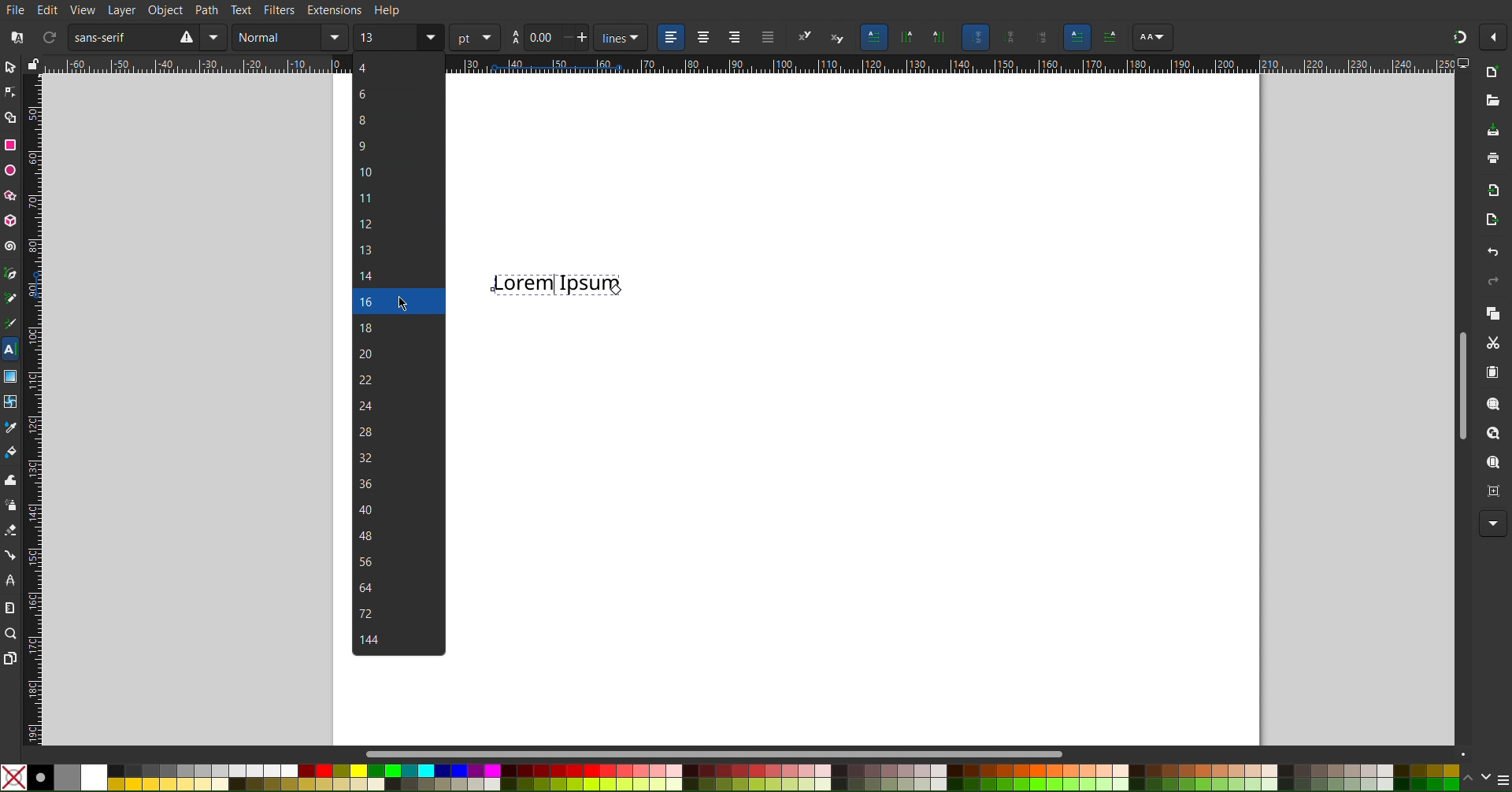 This screenshot has height=792, width=1512. I want to click on Zoom Drawing, so click(1493, 433).